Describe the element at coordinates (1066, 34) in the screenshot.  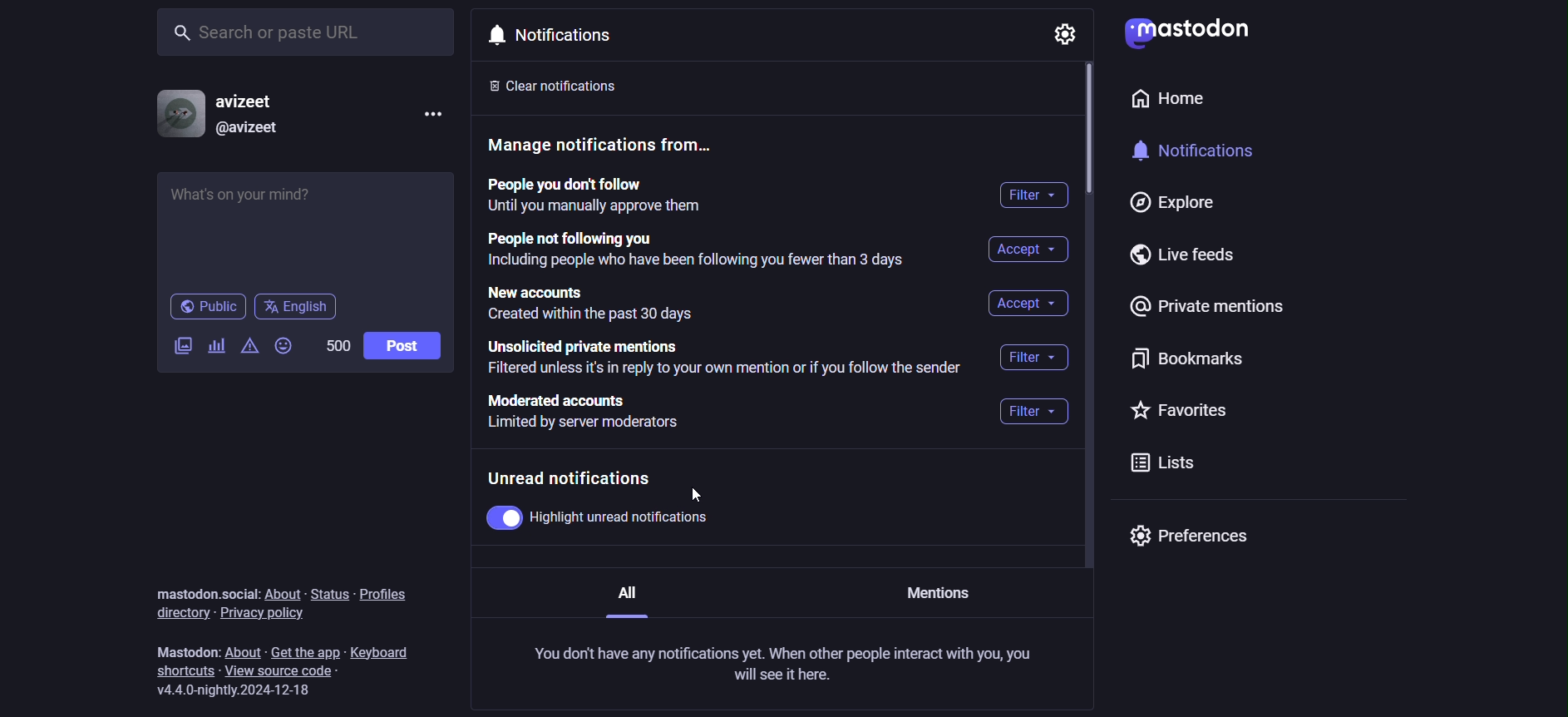
I see `setting` at that location.